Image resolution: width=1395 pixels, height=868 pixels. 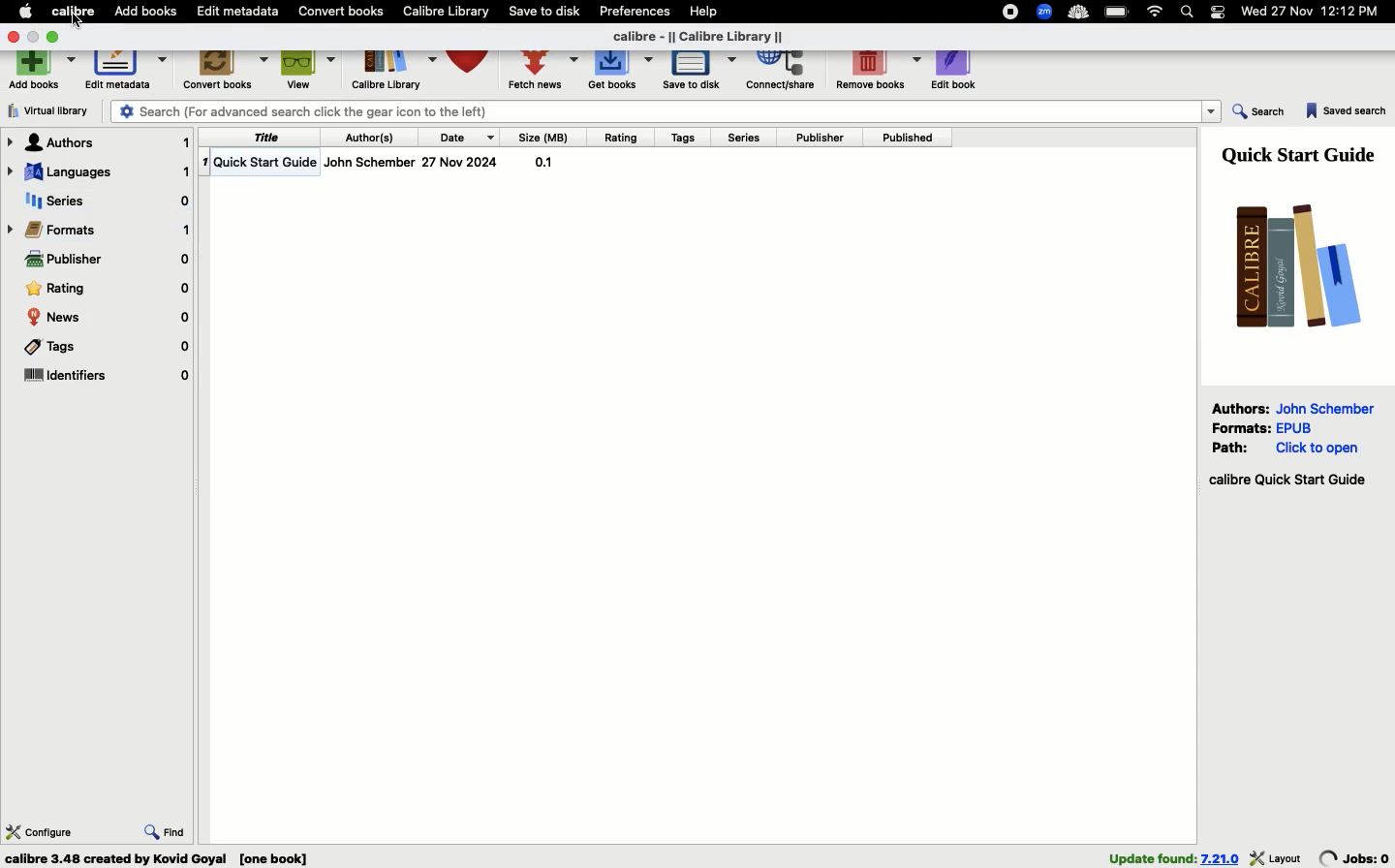 I want to click on Date, so click(x=1317, y=13).